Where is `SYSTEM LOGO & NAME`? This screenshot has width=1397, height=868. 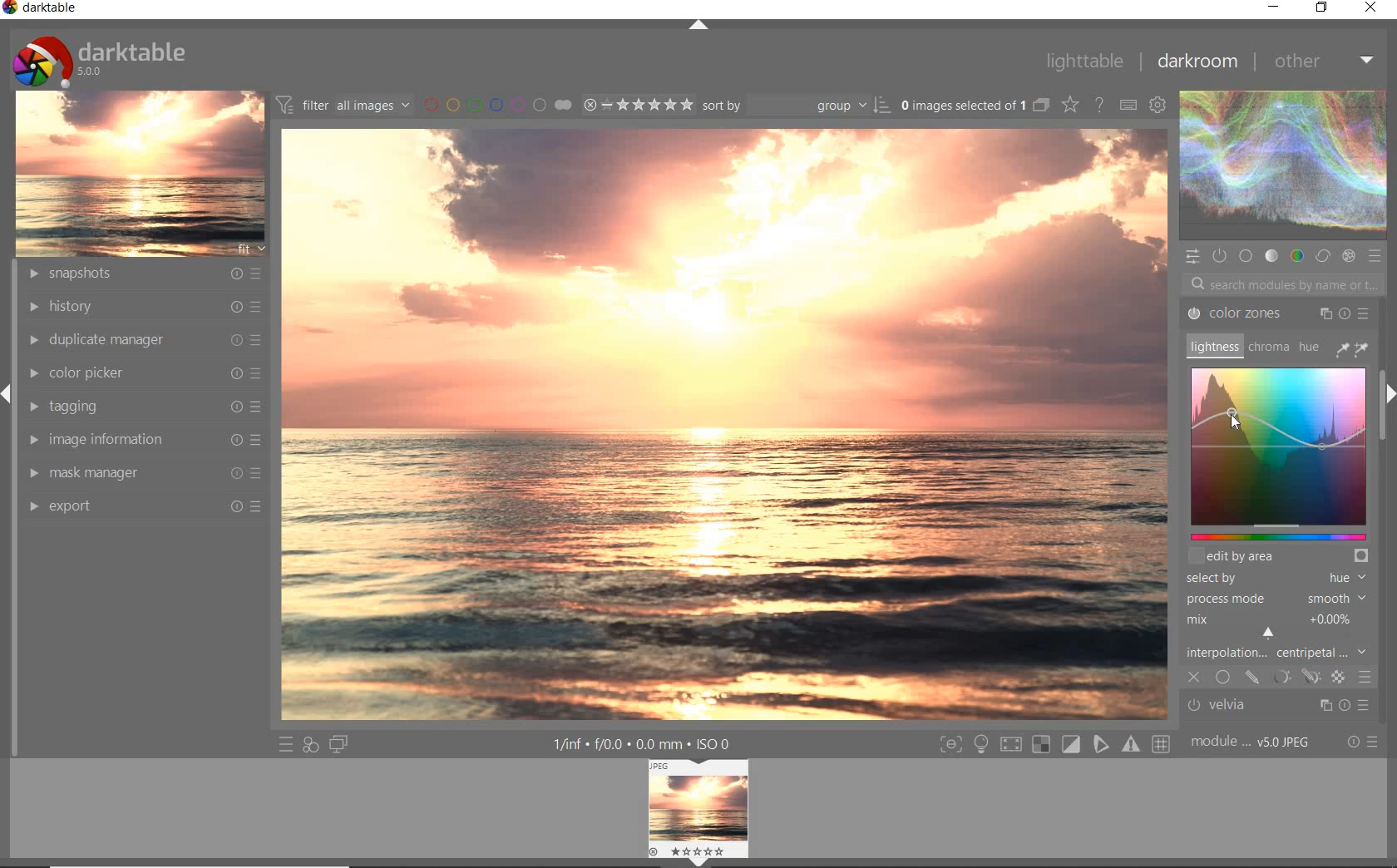 SYSTEM LOGO & NAME is located at coordinates (99, 57).